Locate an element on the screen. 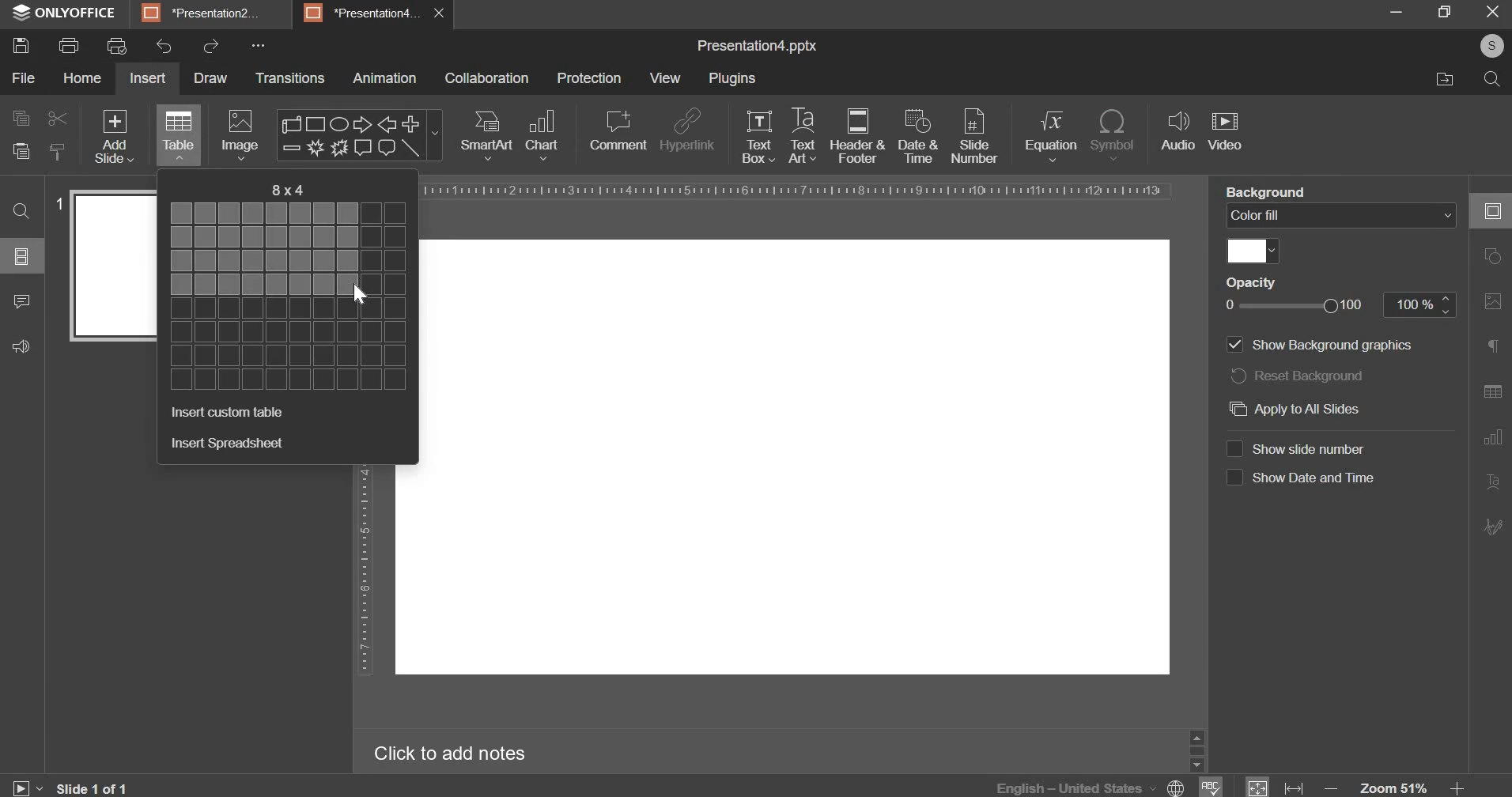  set document language is located at coordinates (1177, 786).